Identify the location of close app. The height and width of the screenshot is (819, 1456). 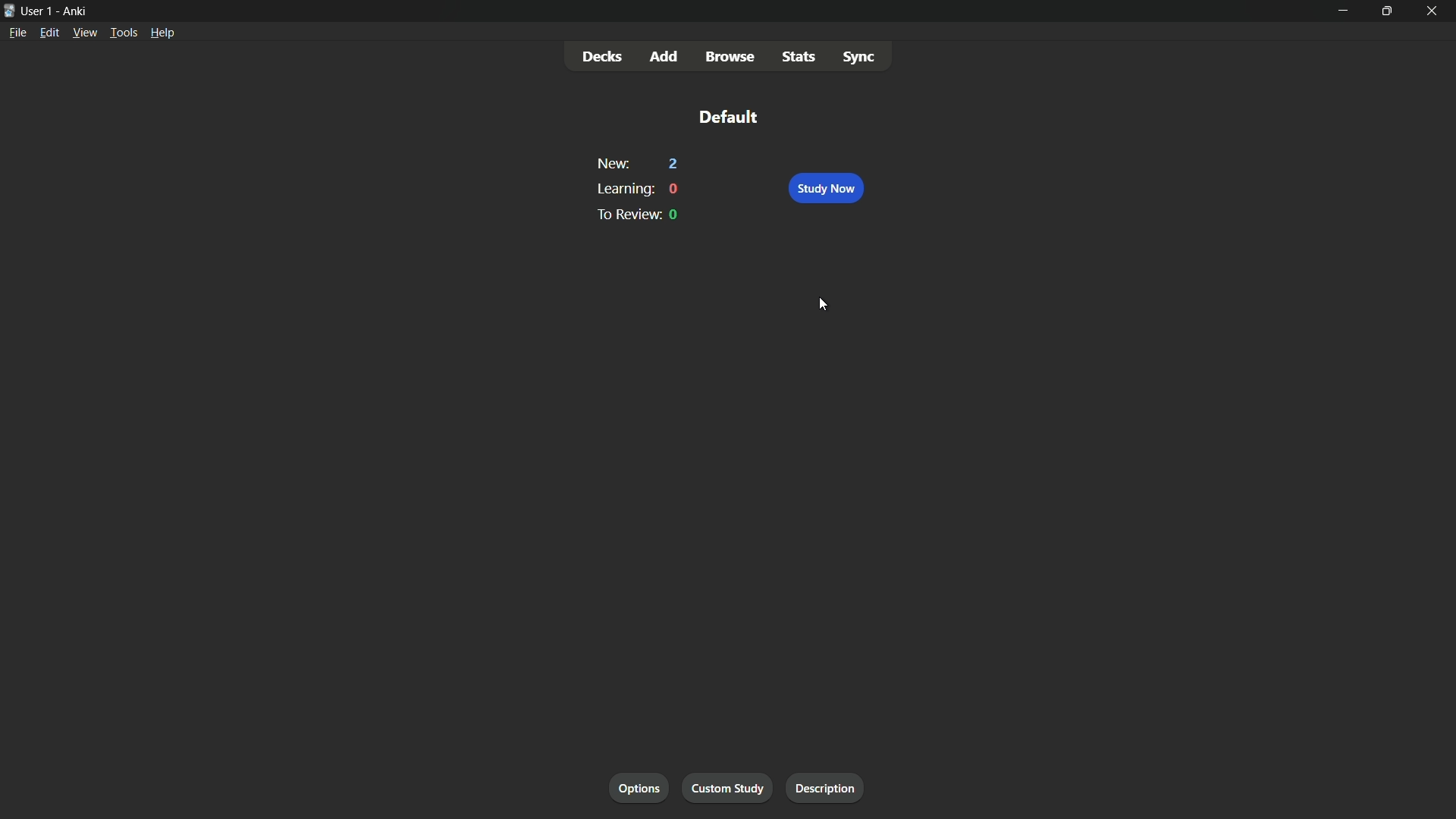
(1434, 11).